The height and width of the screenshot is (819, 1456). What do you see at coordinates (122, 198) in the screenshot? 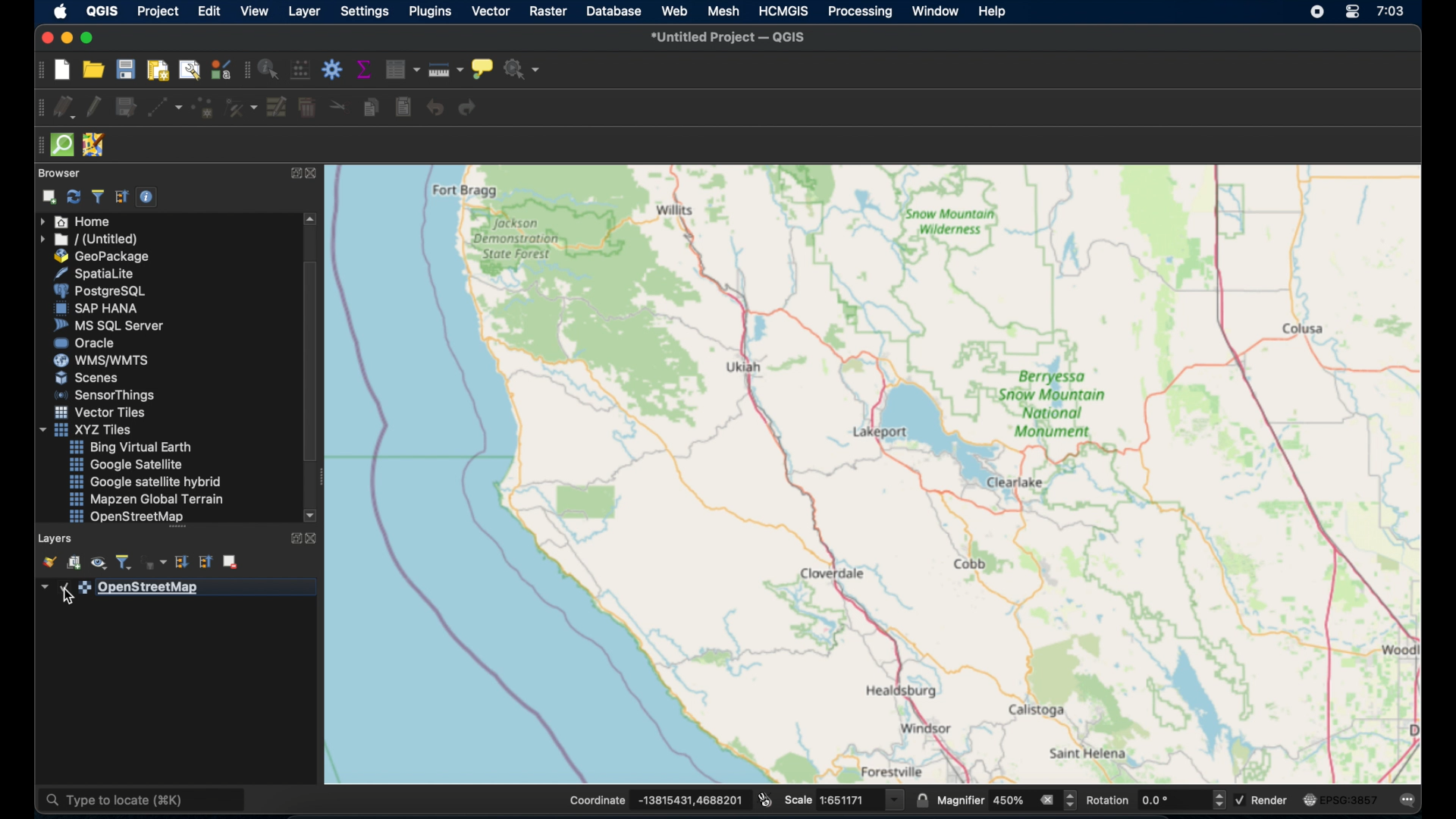
I see `collapse. all` at bounding box center [122, 198].